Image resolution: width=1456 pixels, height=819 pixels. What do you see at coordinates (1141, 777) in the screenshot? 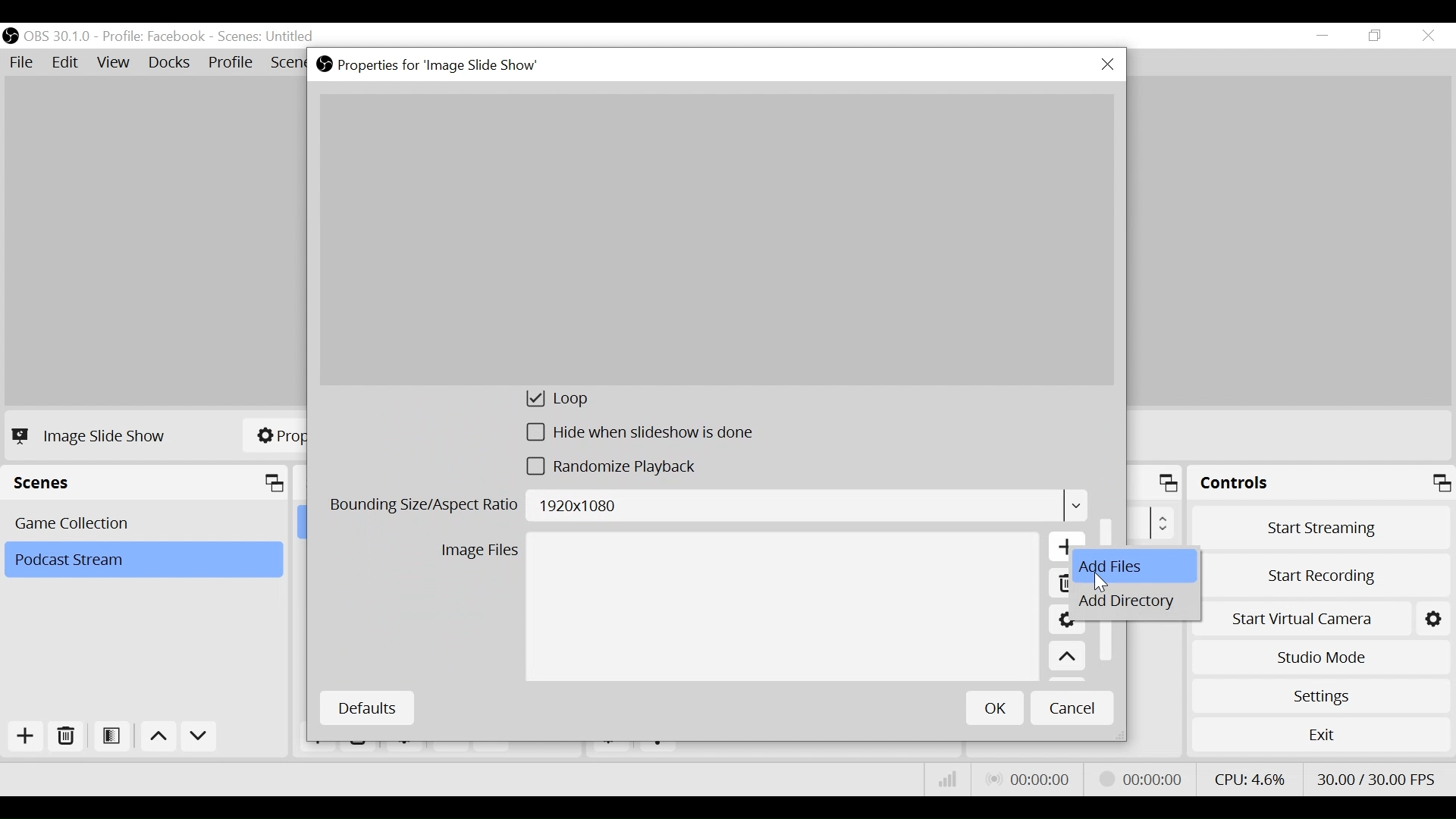
I see `Stream Status` at bounding box center [1141, 777].